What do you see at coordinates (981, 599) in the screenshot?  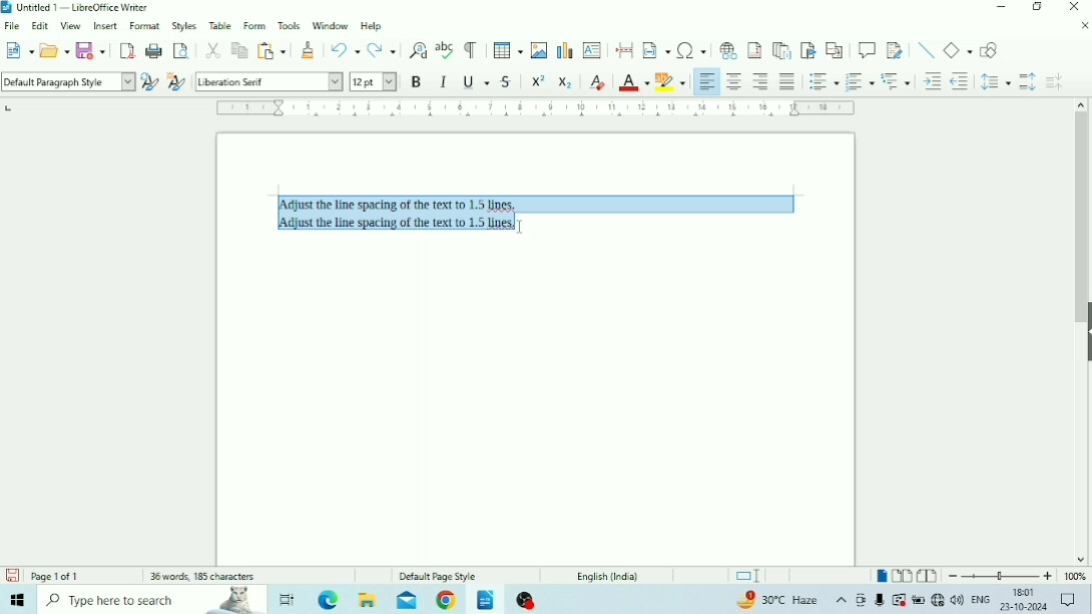 I see `Language` at bounding box center [981, 599].